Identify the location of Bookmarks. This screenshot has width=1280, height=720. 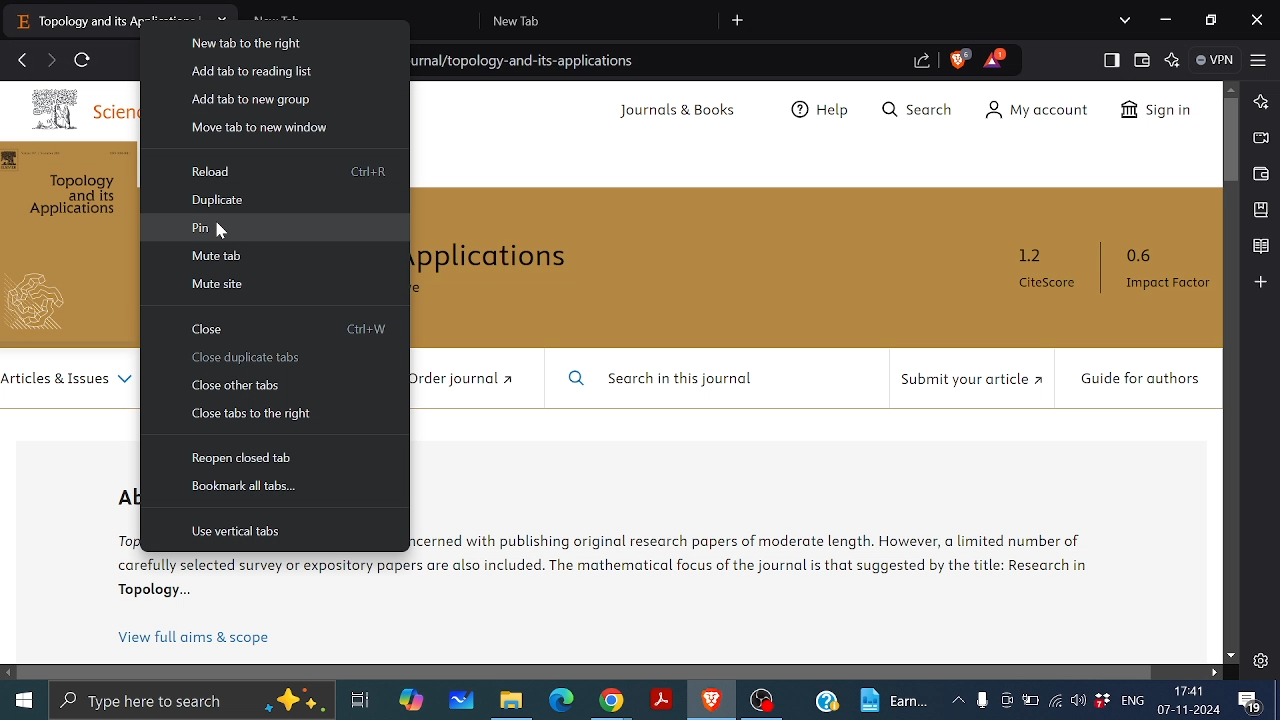
(1261, 210).